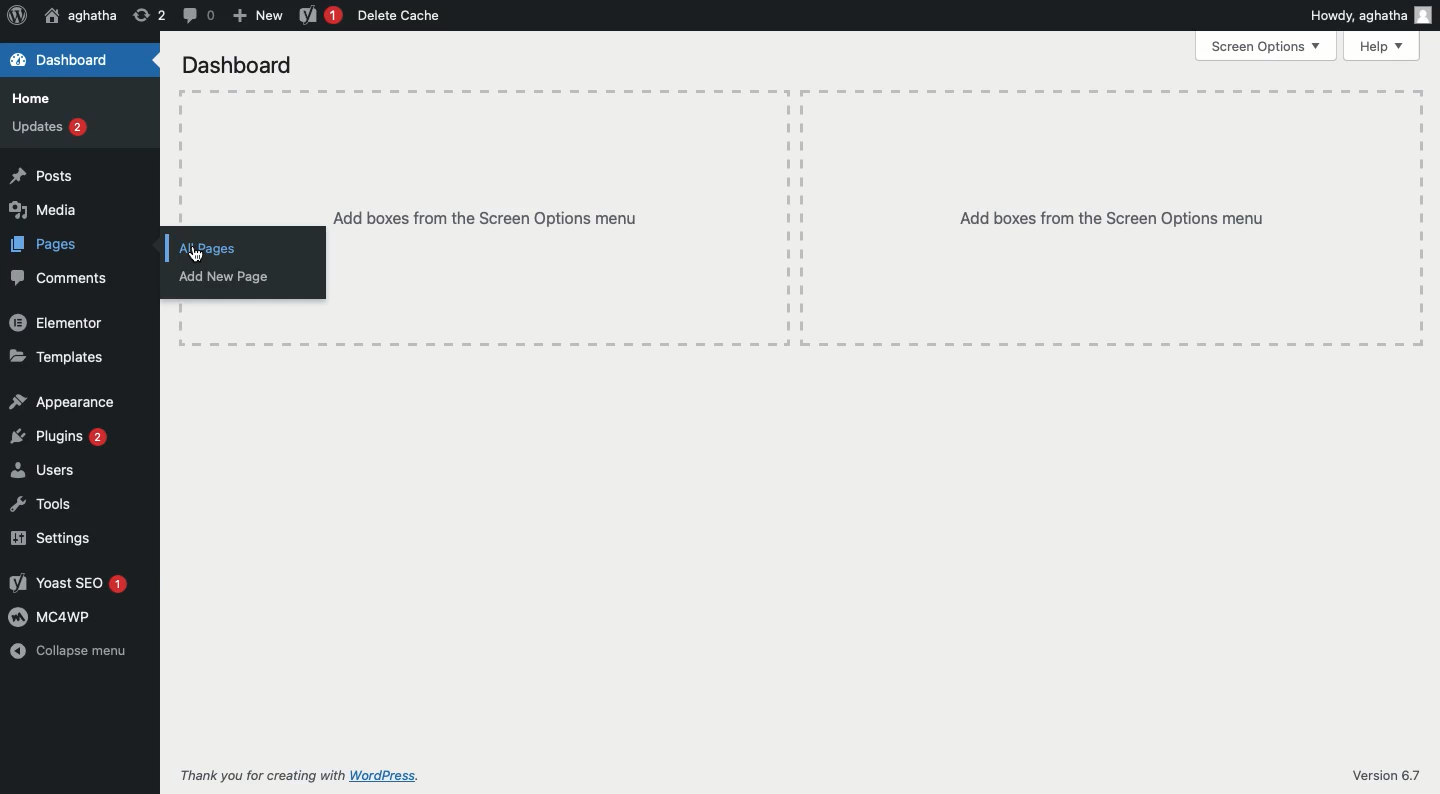 The height and width of the screenshot is (794, 1440). I want to click on All pages, so click(242, 248).